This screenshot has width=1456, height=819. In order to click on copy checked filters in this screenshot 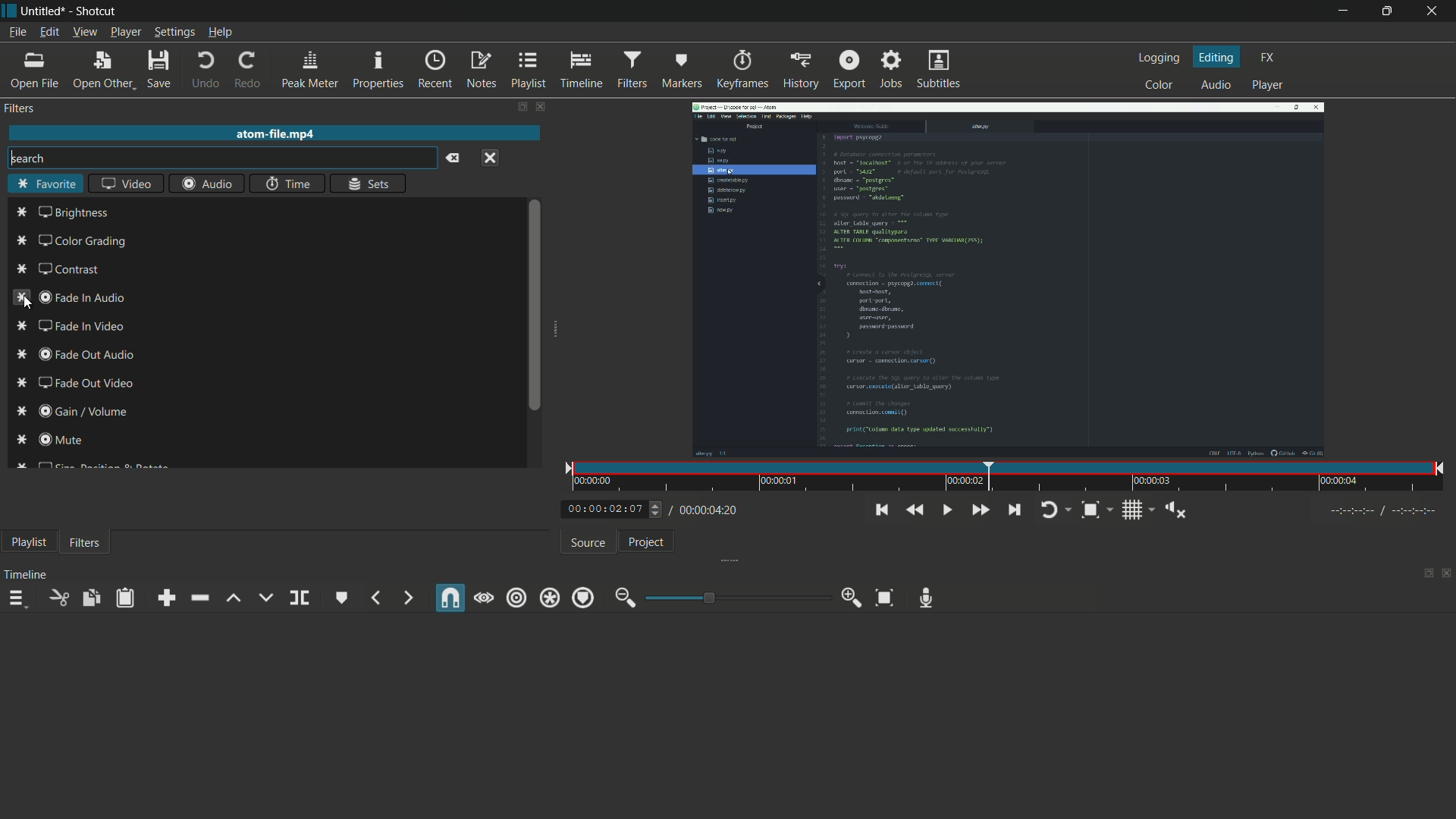, I will do `click(90, 598)`.